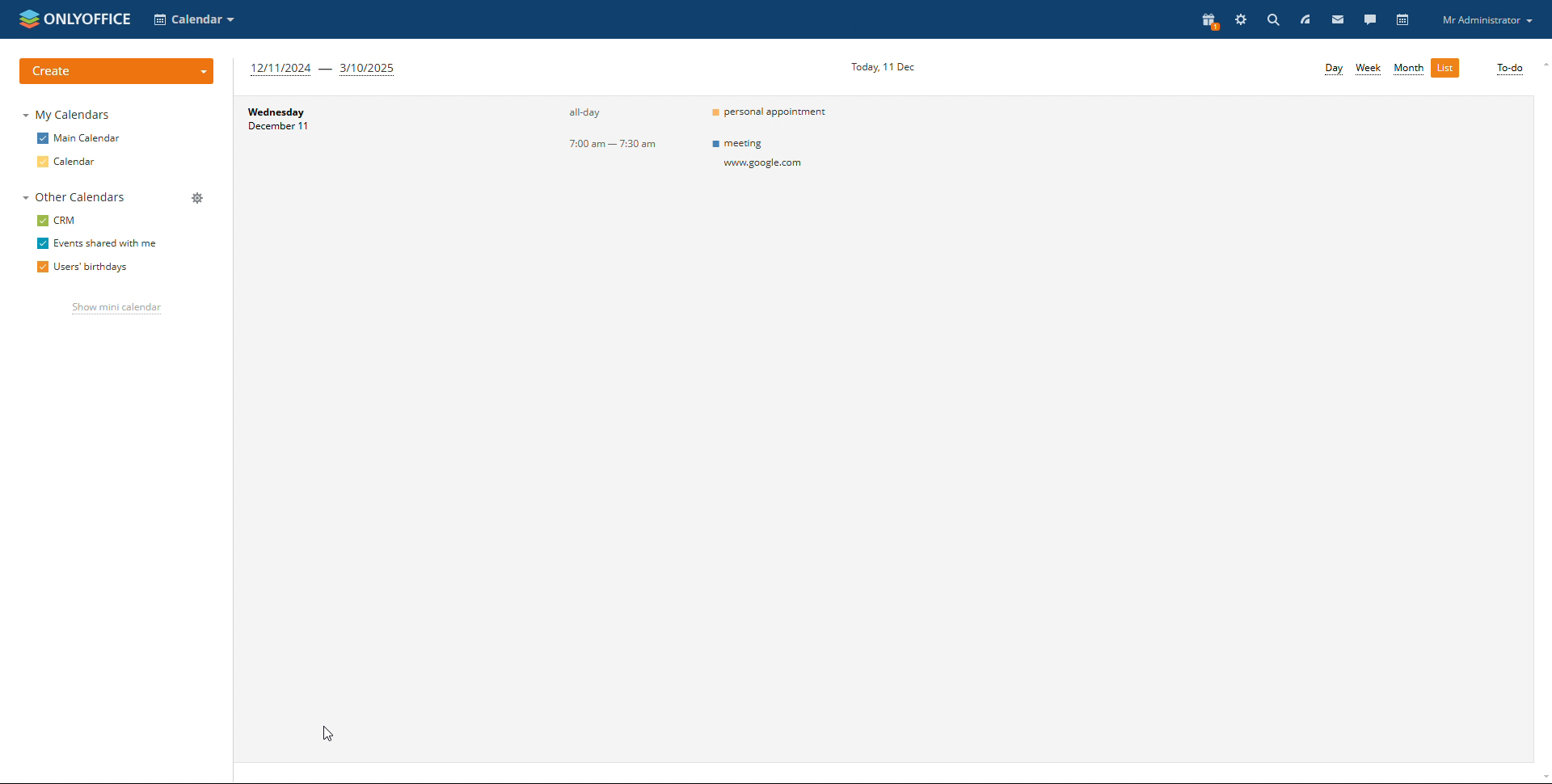 The image size is (1552, 784). Describe the element at coordinates (1542, 778) in the screenshot. I see `scroll down` at that location.